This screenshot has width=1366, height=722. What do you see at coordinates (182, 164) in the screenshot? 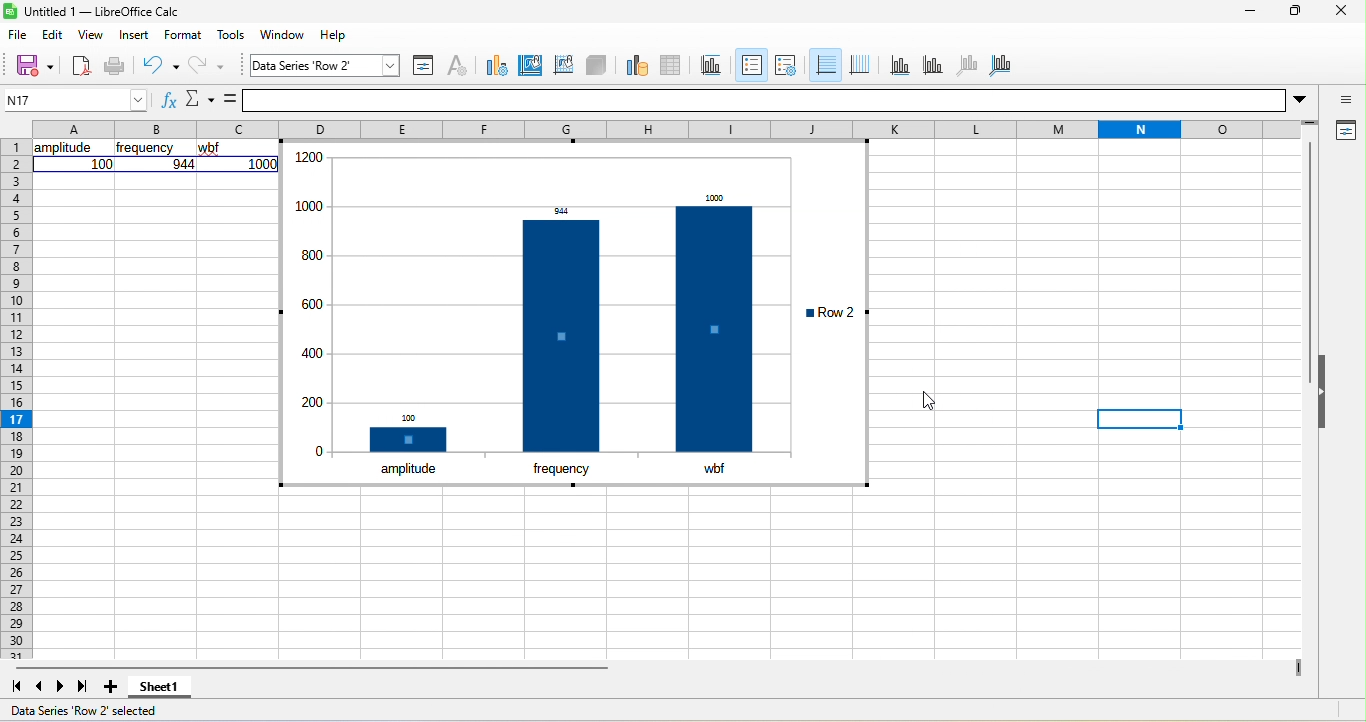
I see `944` at bounding box center [182, 164].